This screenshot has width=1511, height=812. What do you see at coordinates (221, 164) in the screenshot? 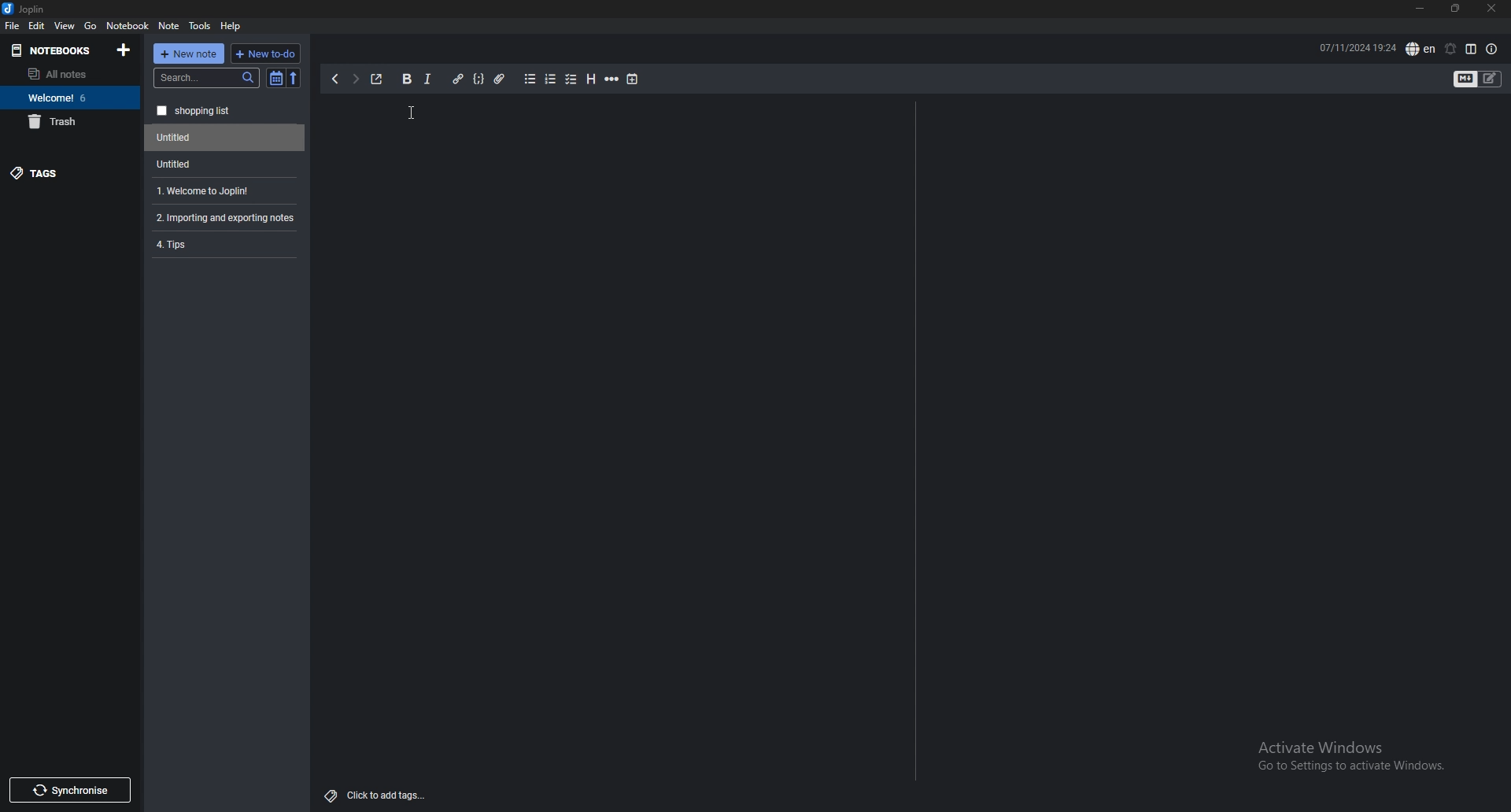
I see `Untitled` at bounding box center [221, 164].